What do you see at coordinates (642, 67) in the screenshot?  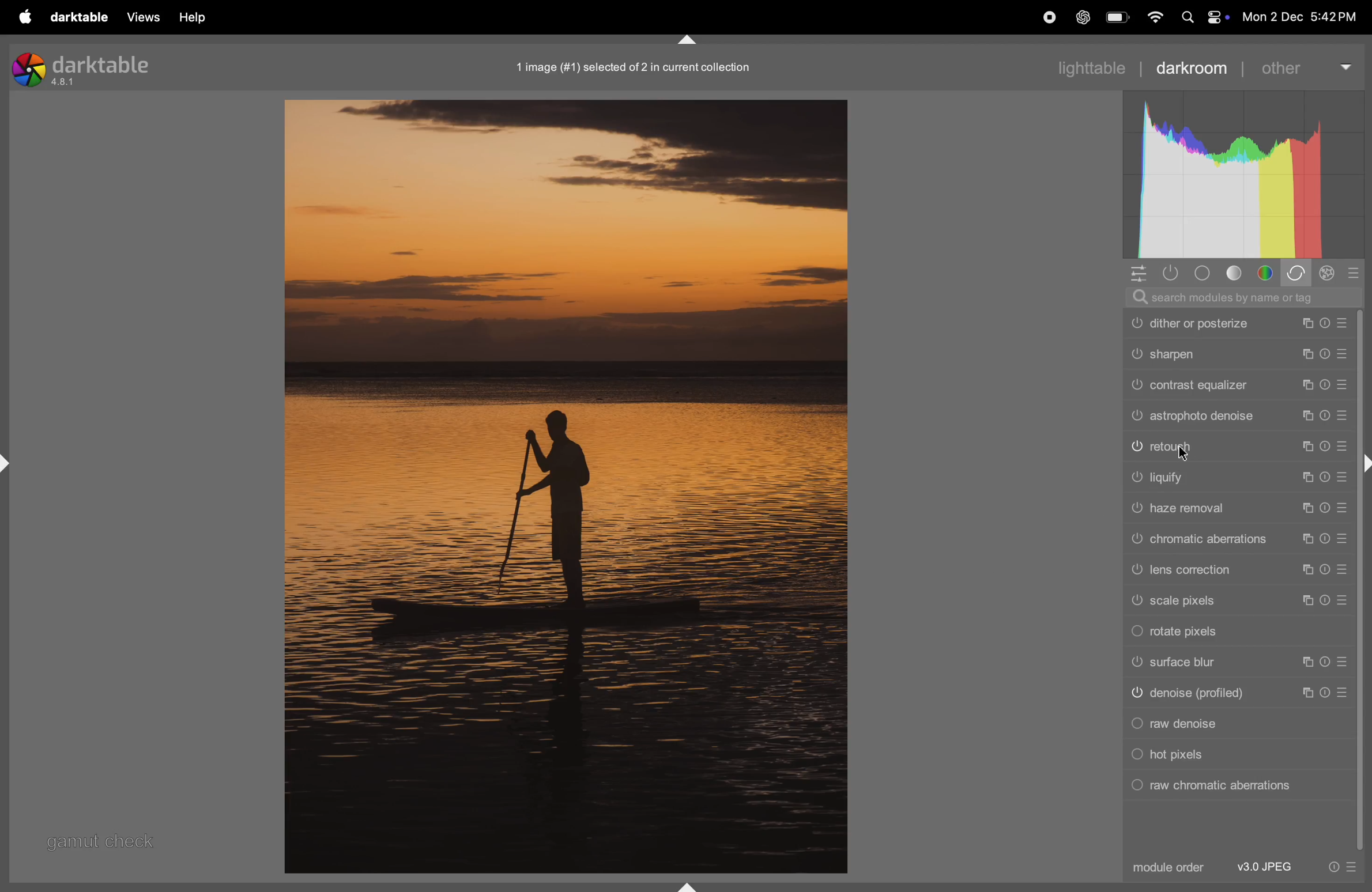 I see `image collections` at bounding box center [642, 67].